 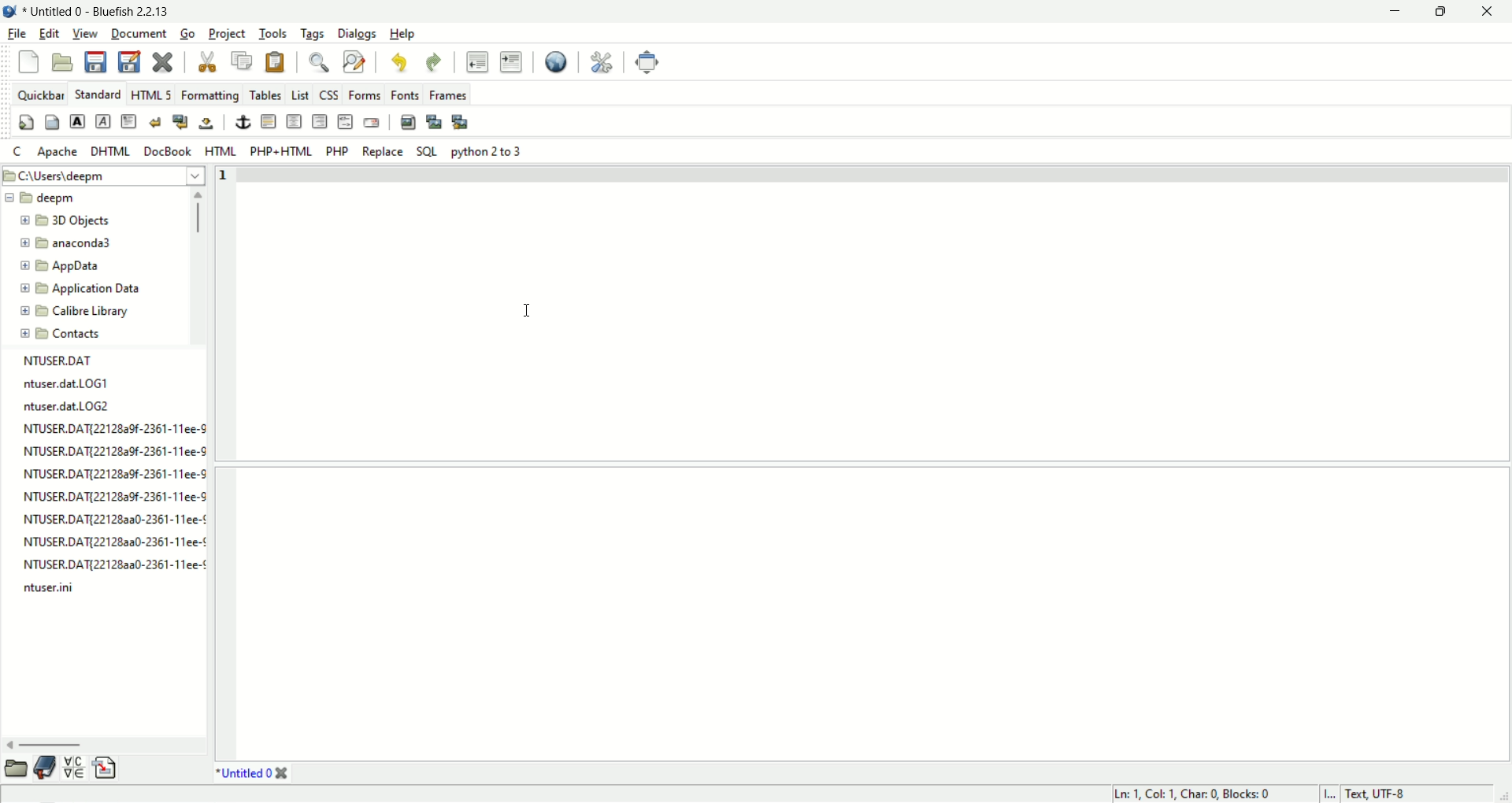 I want to click on line number, so click(x=220, y=464).